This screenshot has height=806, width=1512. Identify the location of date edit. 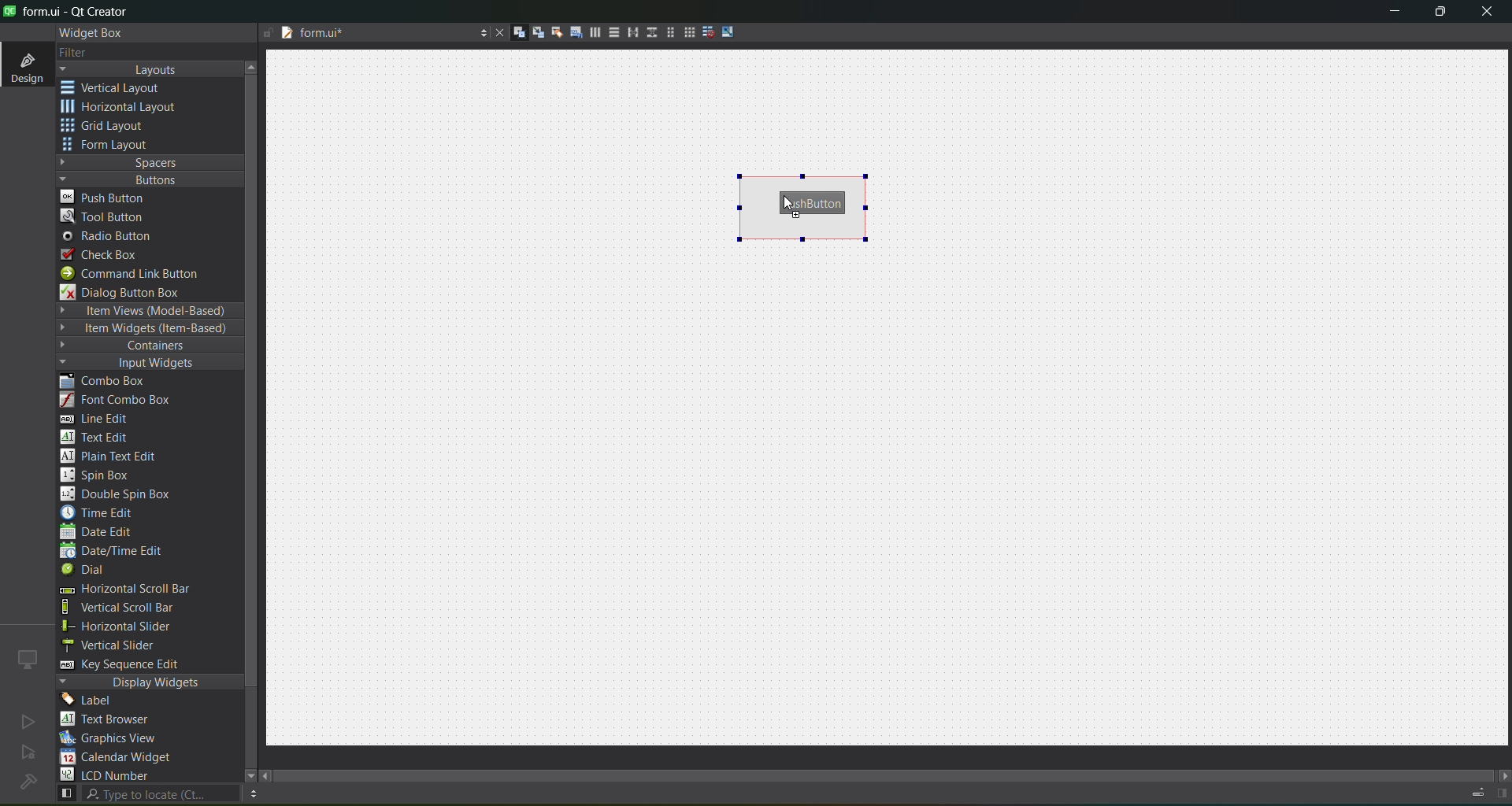
(100, 533).